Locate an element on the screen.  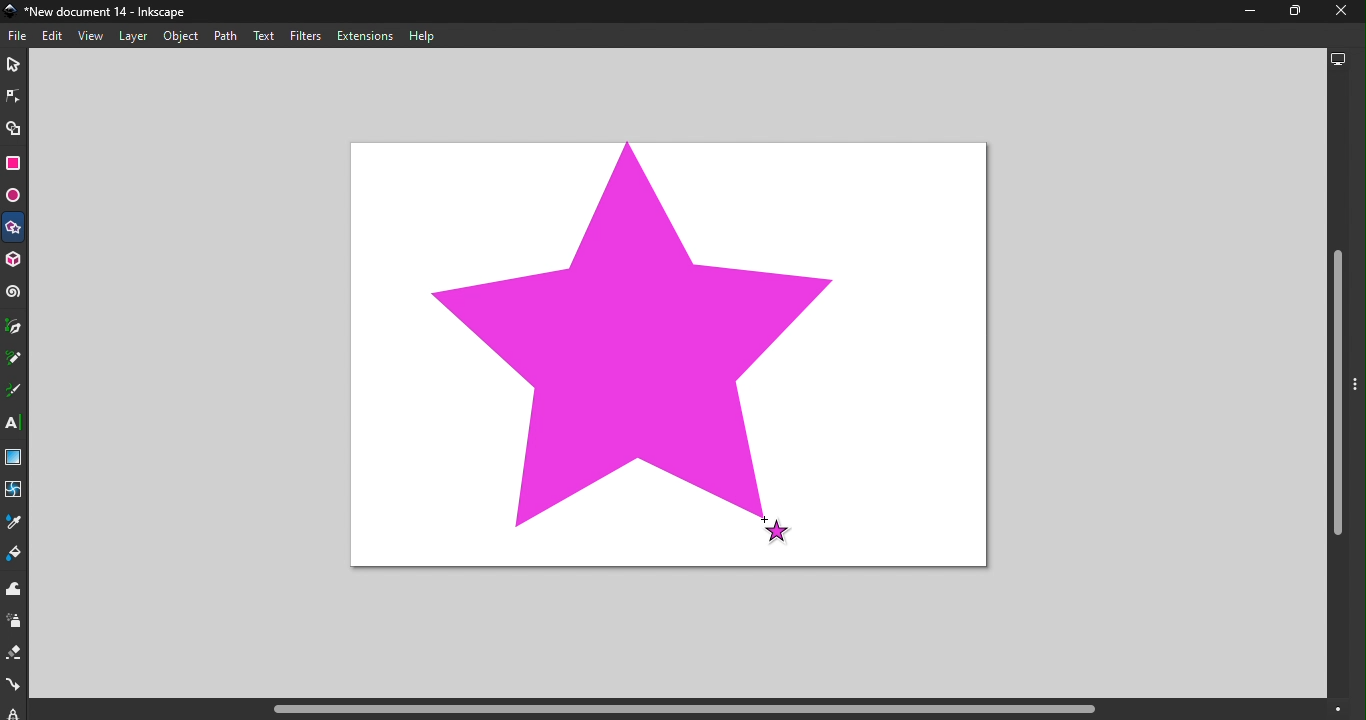
Layer is located at coordinates (129, 36).